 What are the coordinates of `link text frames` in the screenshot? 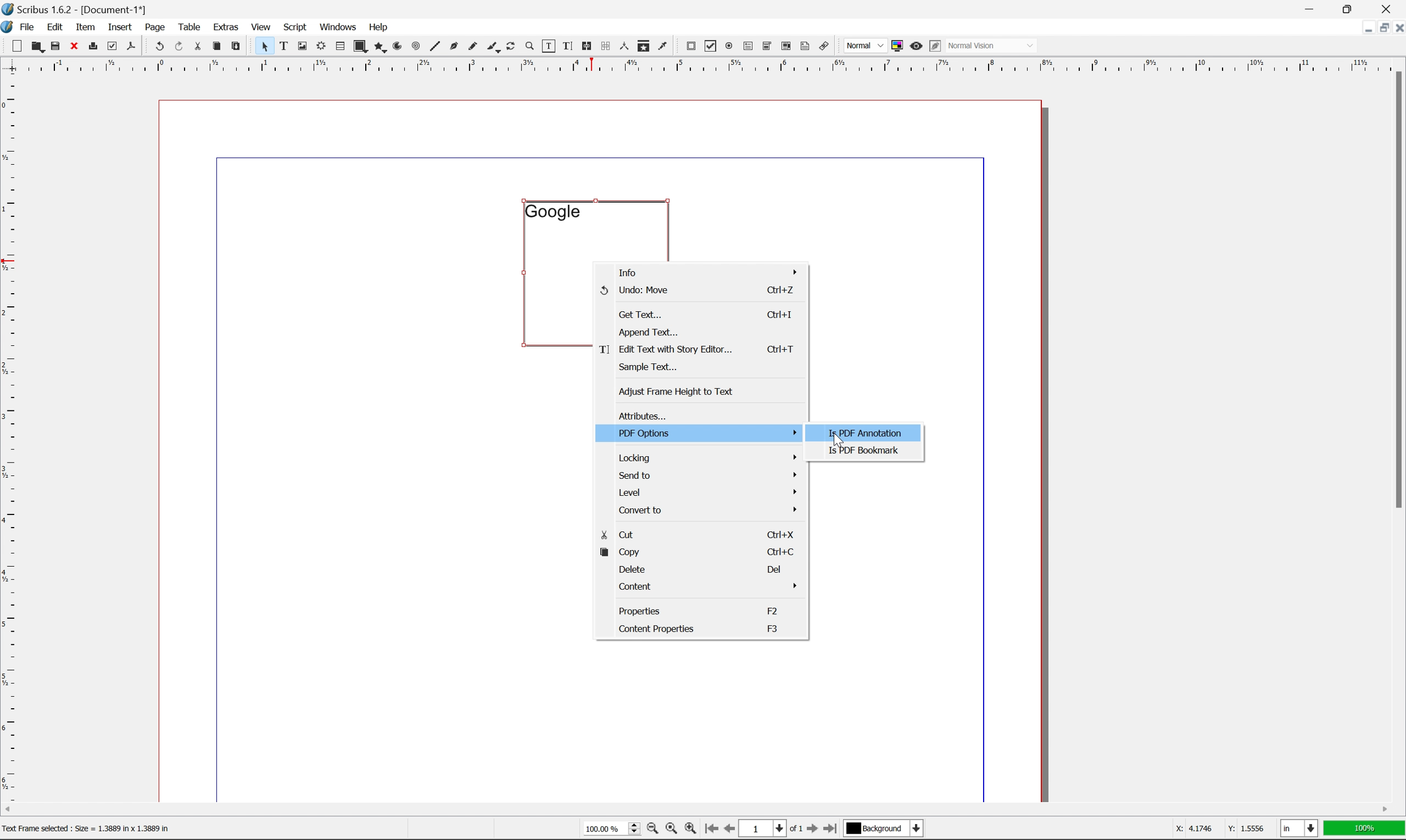 It's located at (585, 46).